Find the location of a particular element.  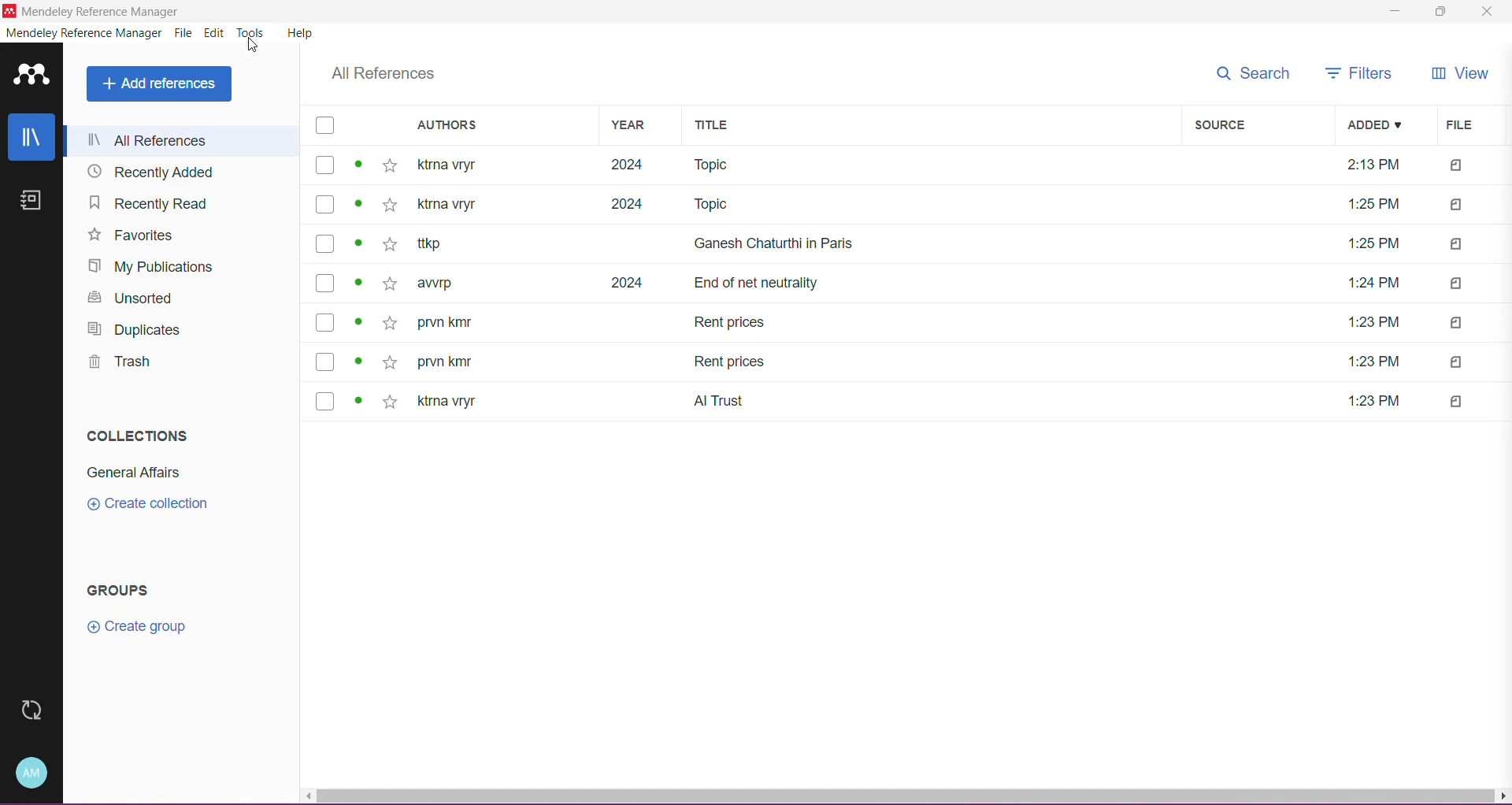

Click to create new Group is located at coordinates (139, 625).